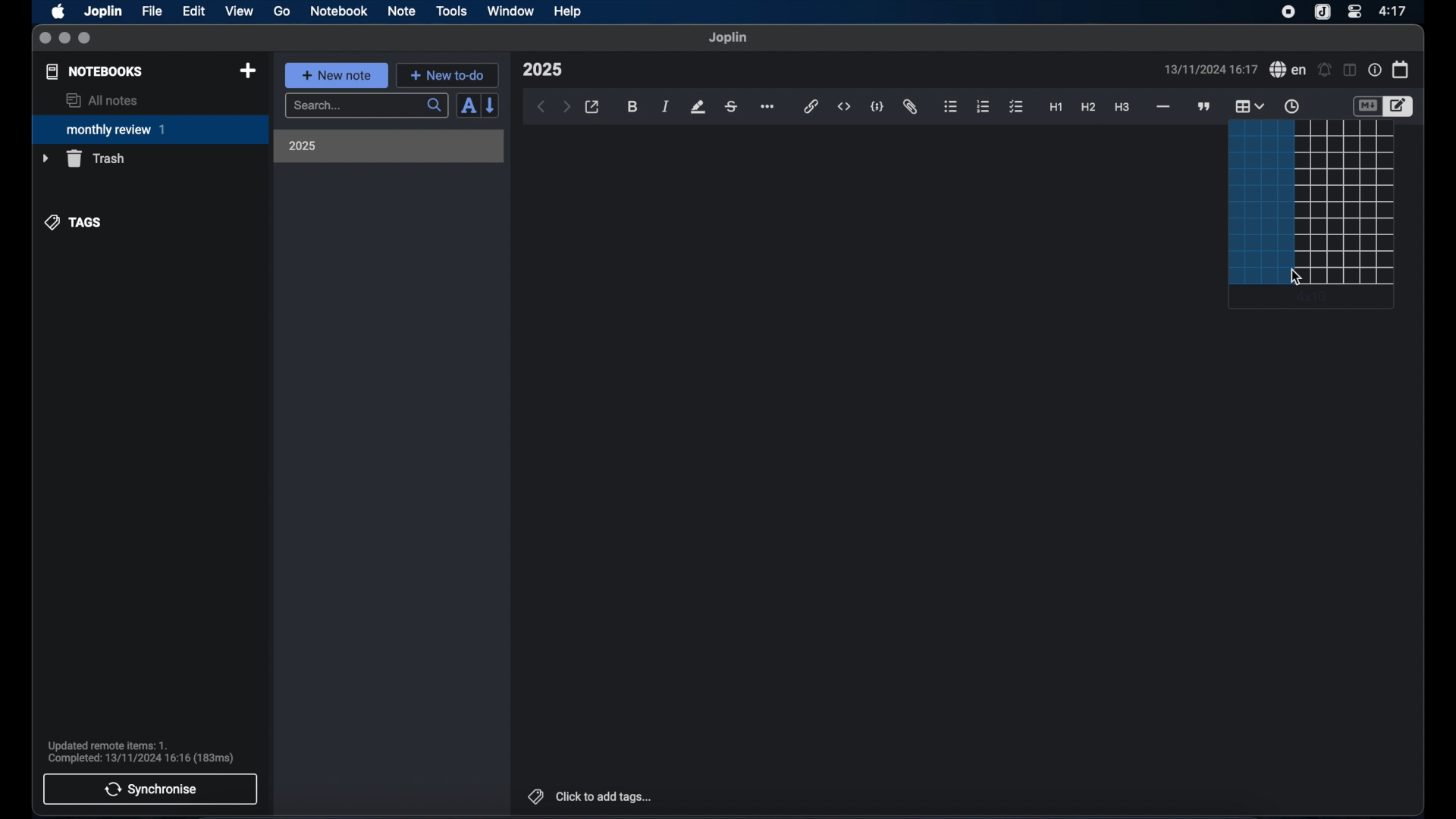 Image resolution: width=1456 pixels, height=819 pixels. What do you see at coordinates (45, 39) in the screenshot?
I see `close` at bounding box center [45, 39].